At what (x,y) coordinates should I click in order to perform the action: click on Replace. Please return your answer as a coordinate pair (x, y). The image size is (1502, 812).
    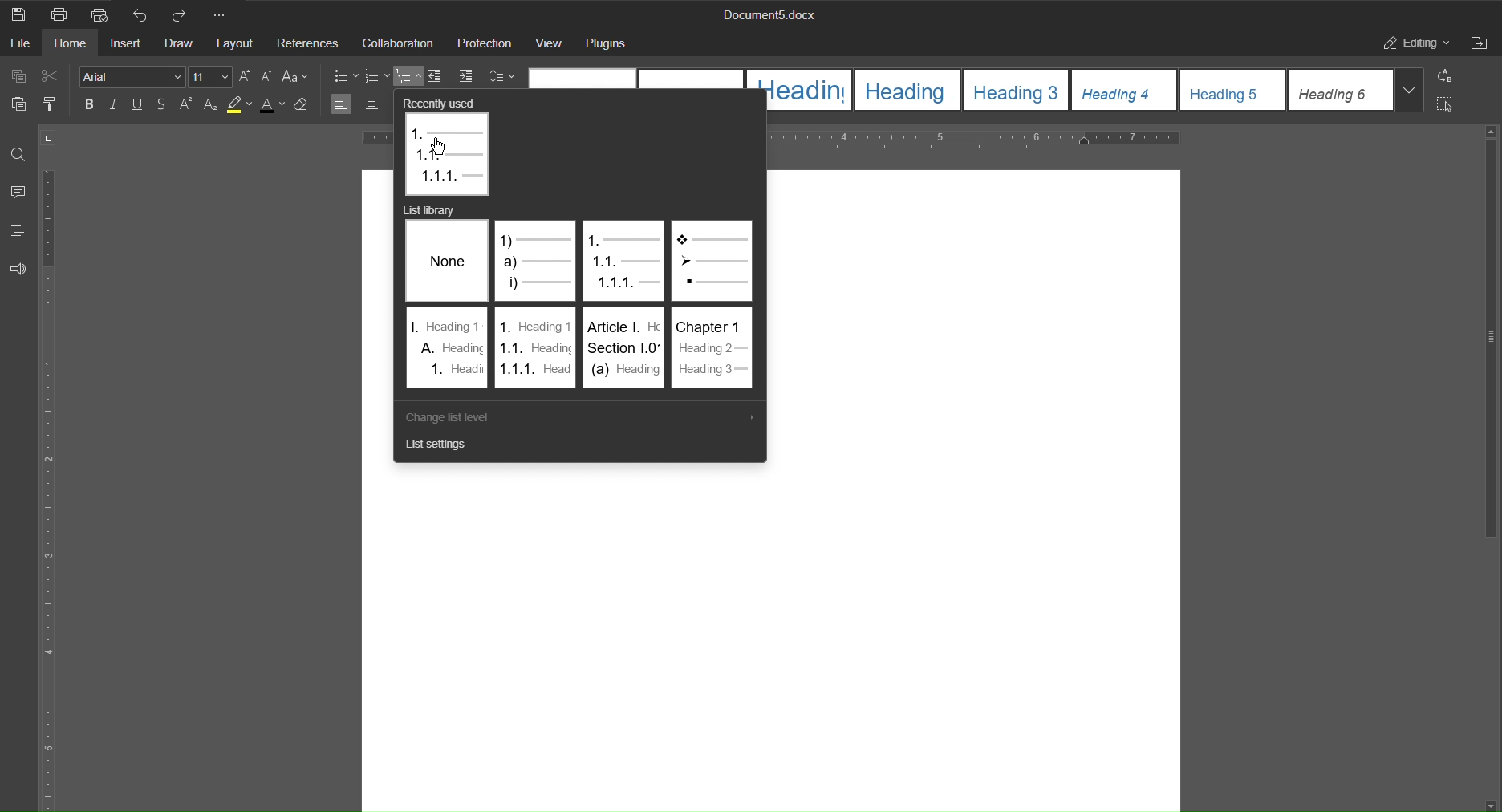
    Looking at the image, I should click on (1444, 77).